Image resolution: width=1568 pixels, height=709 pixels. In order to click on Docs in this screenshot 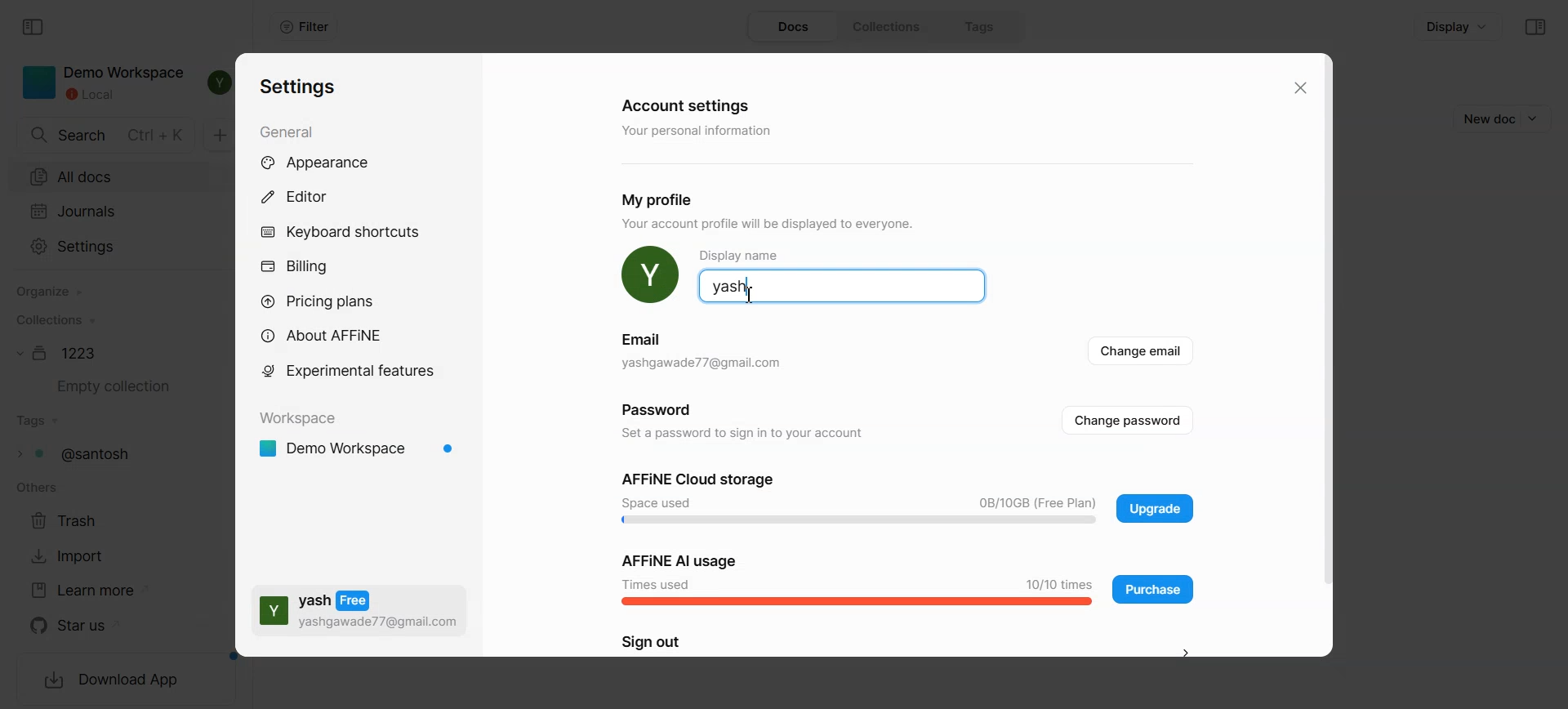, I will do `click(795, 27)`.